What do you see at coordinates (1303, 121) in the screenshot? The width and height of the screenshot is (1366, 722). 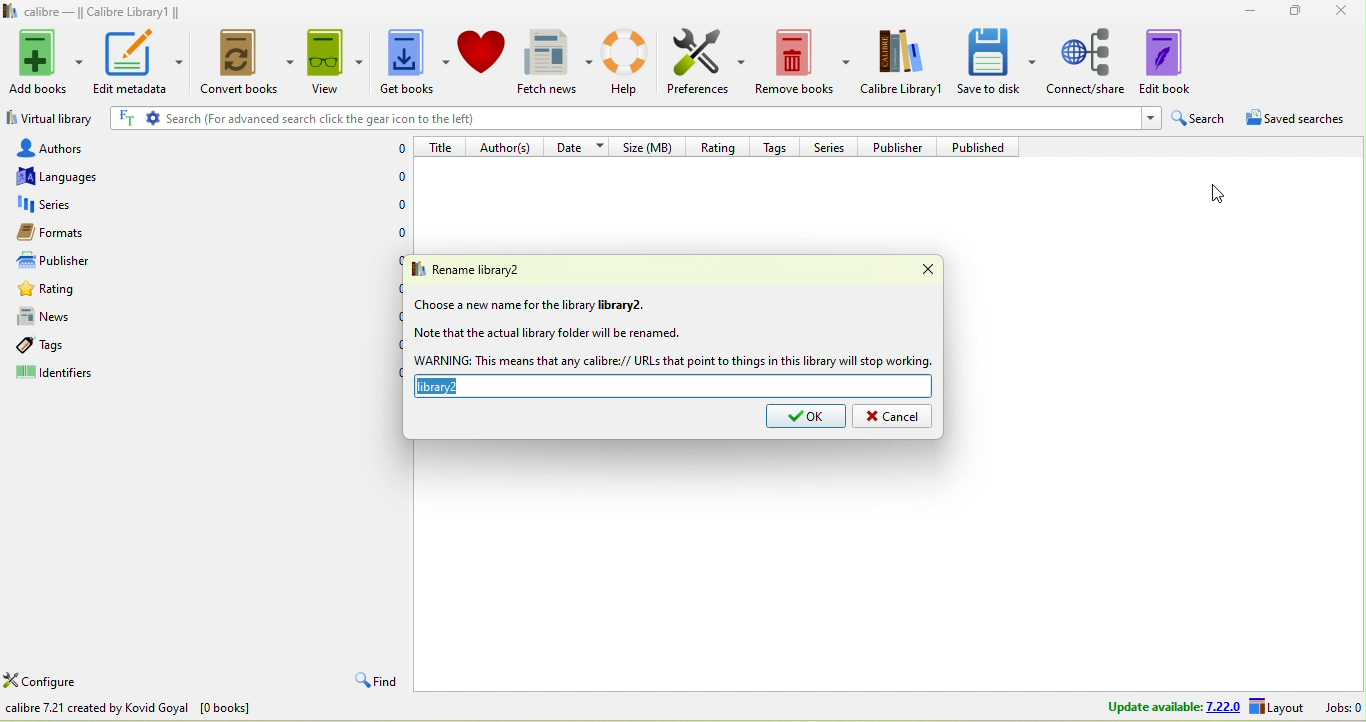 I see `saved searches` at bounding box center [1303, 121].